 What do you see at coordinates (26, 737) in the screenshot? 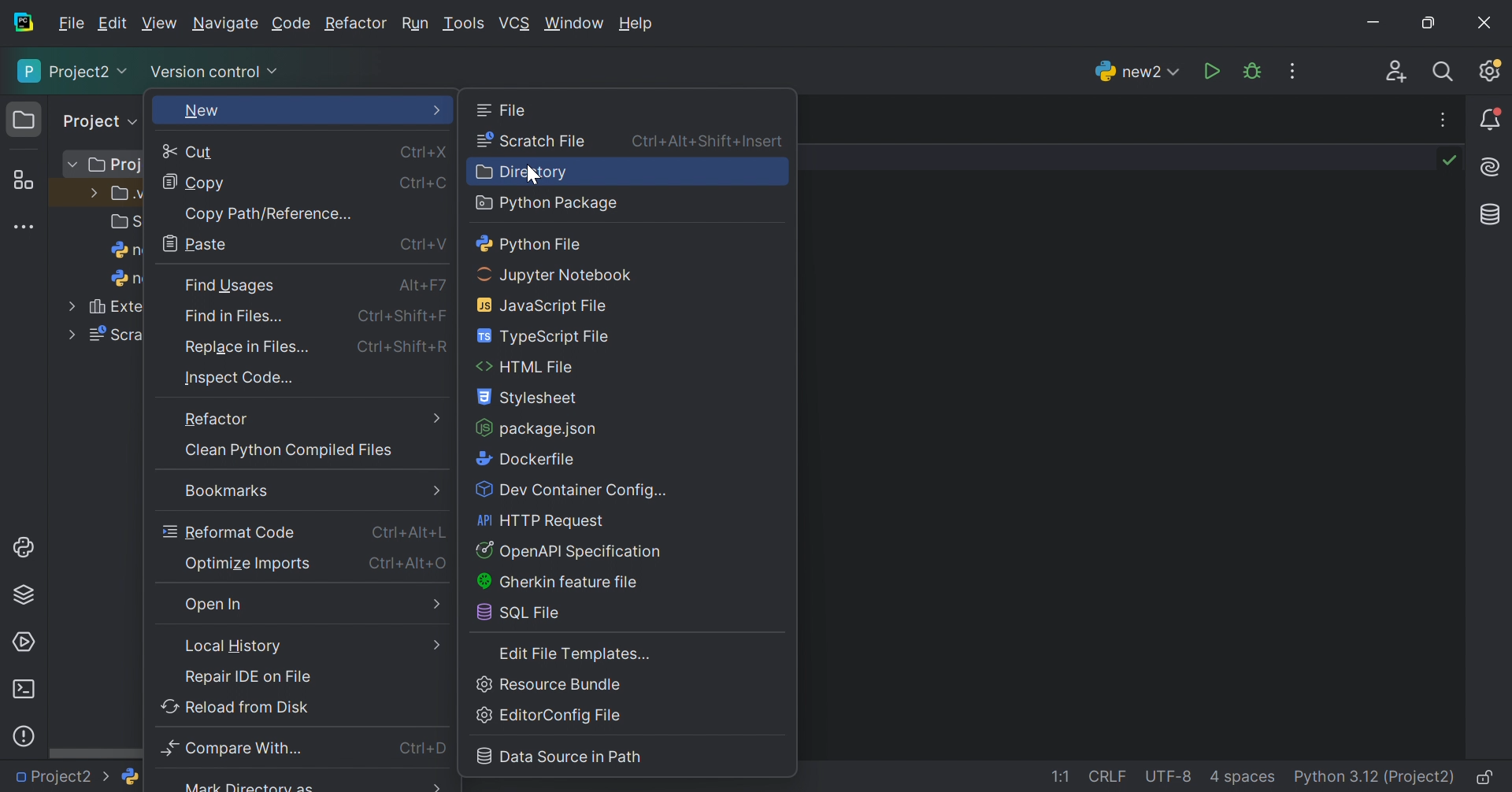
I see `Problems` at bounding box center [26, 737].